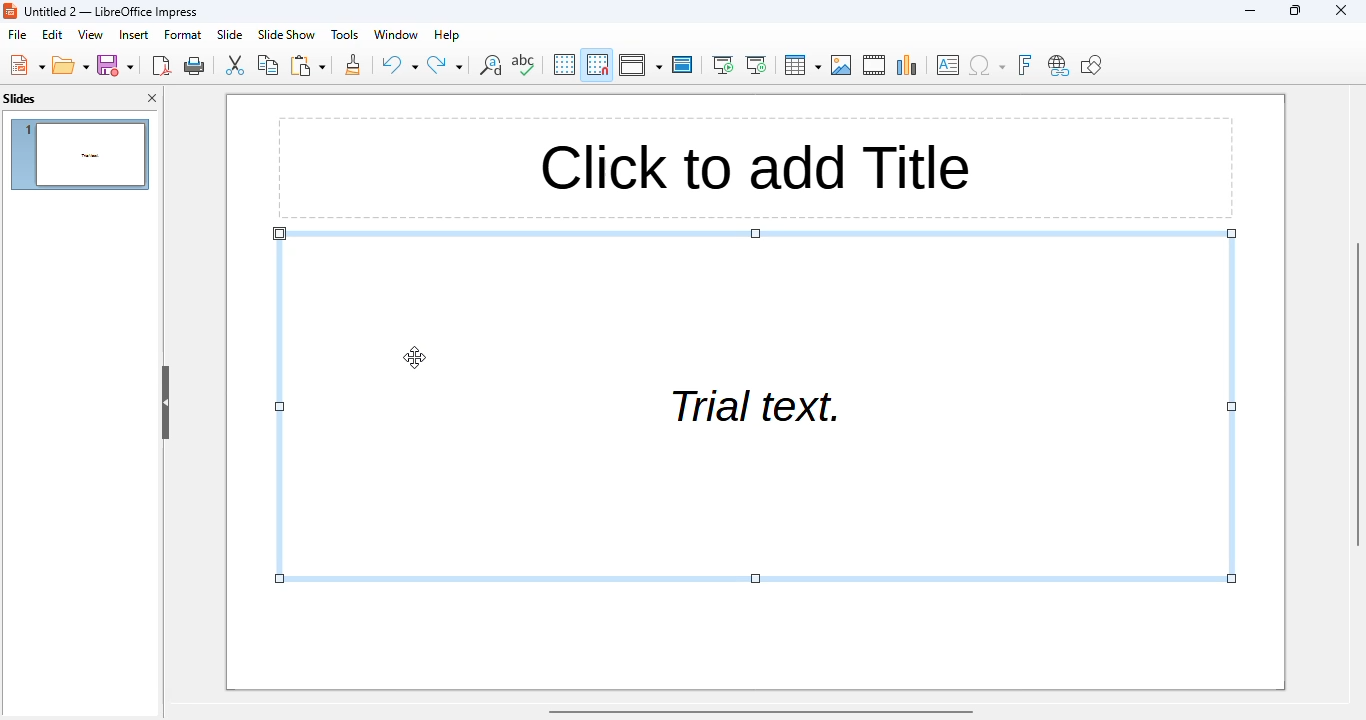  What do you see at coordinates (71, 65) in the screenshot?
I see `open` at bounding box center [71, 65].